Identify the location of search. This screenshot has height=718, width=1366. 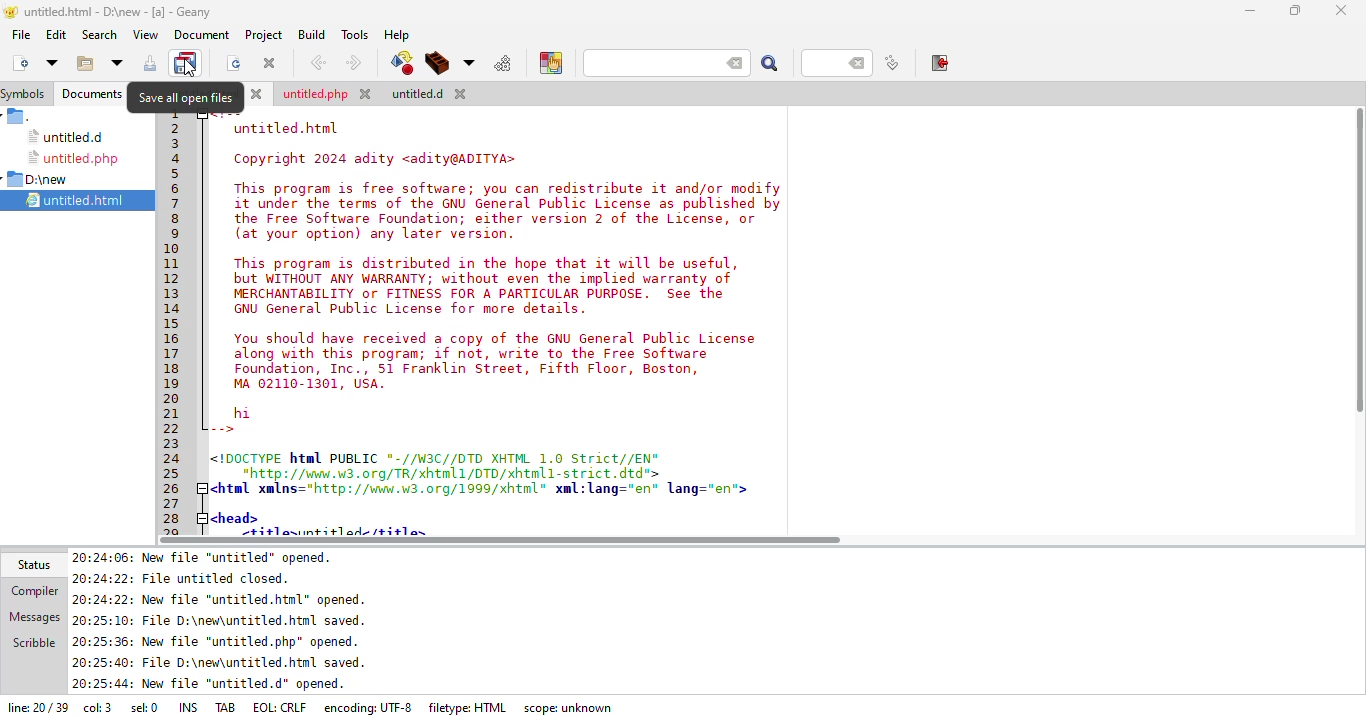
(768, 64).